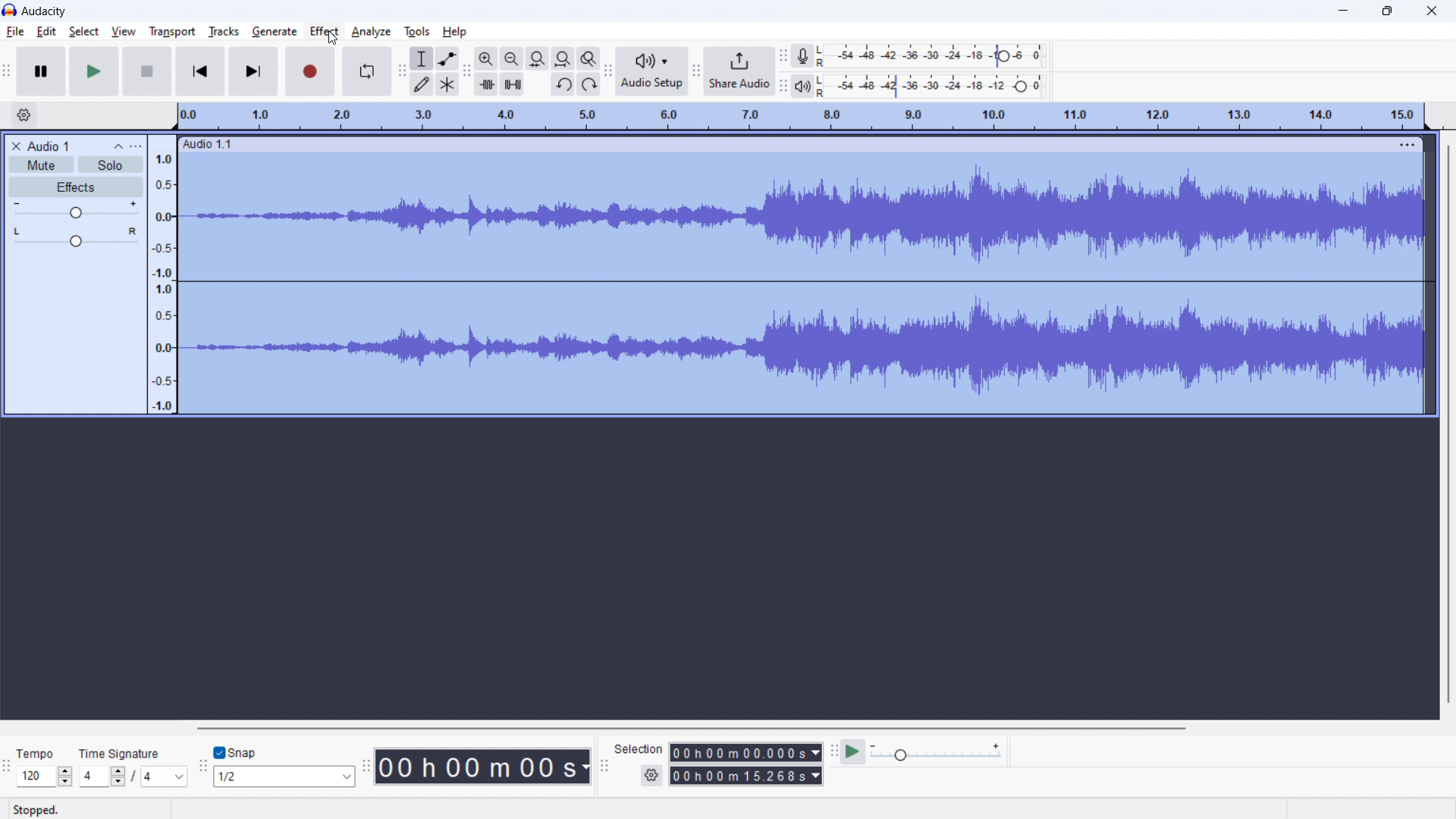 This screenshot has height=819, width=1456. I want to click on pan: center, so click(75, 237).